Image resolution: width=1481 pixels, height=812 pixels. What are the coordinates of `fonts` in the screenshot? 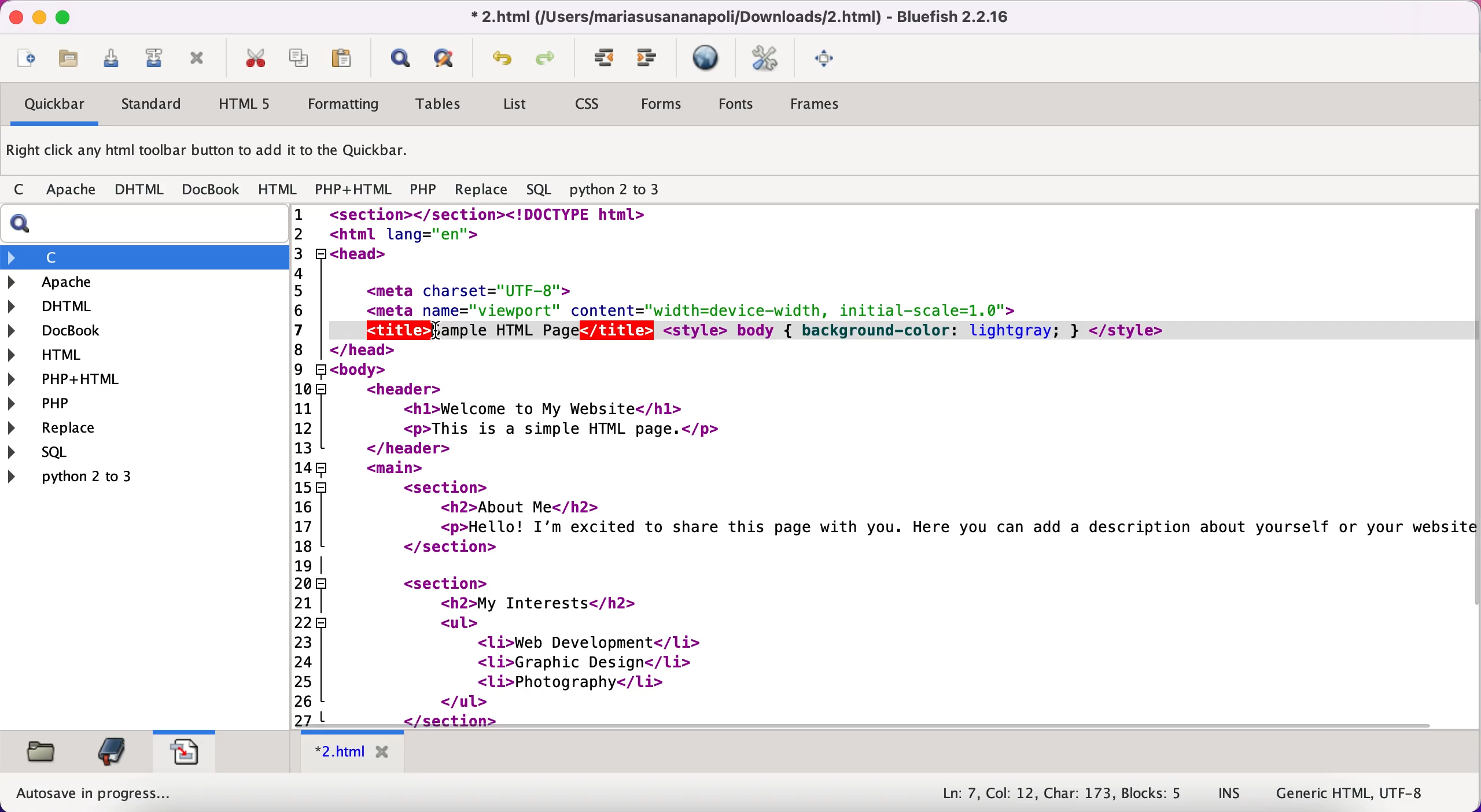 It's located at (736, 106).